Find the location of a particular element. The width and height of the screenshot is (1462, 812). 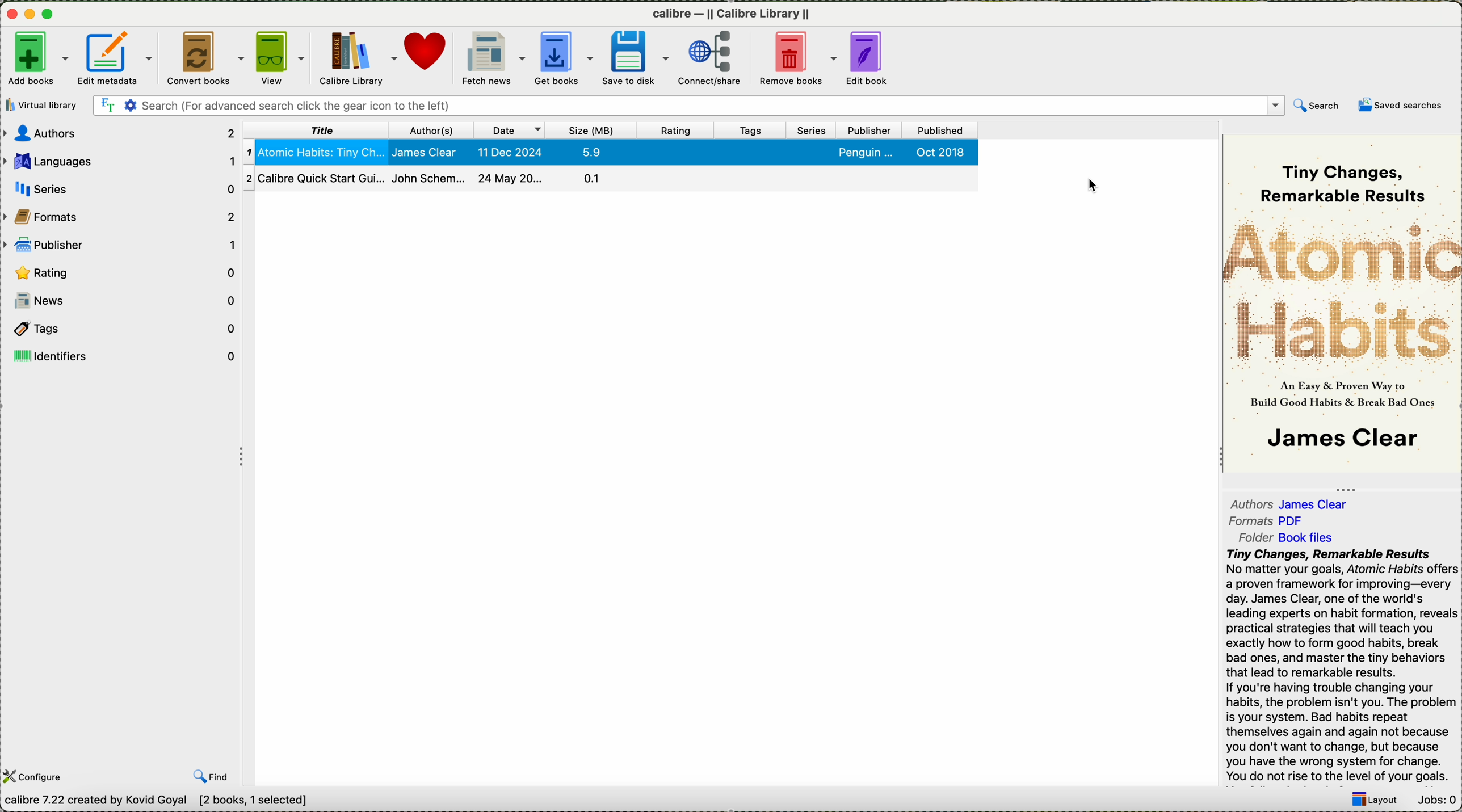

view is located at coordinates (279, 58).